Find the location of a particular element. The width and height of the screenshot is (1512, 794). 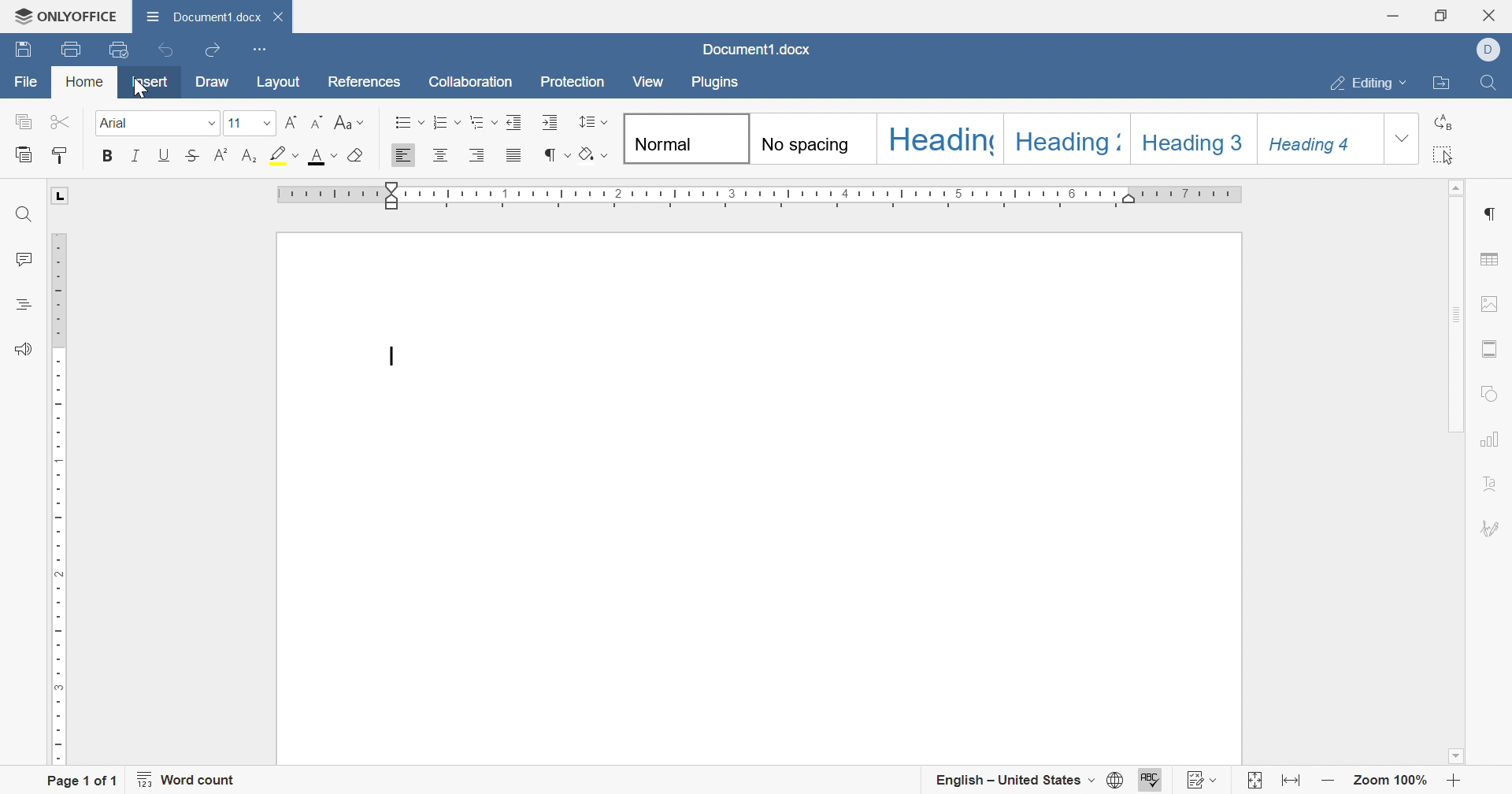

Paragraph settings is located at coordinates (1495, 214).